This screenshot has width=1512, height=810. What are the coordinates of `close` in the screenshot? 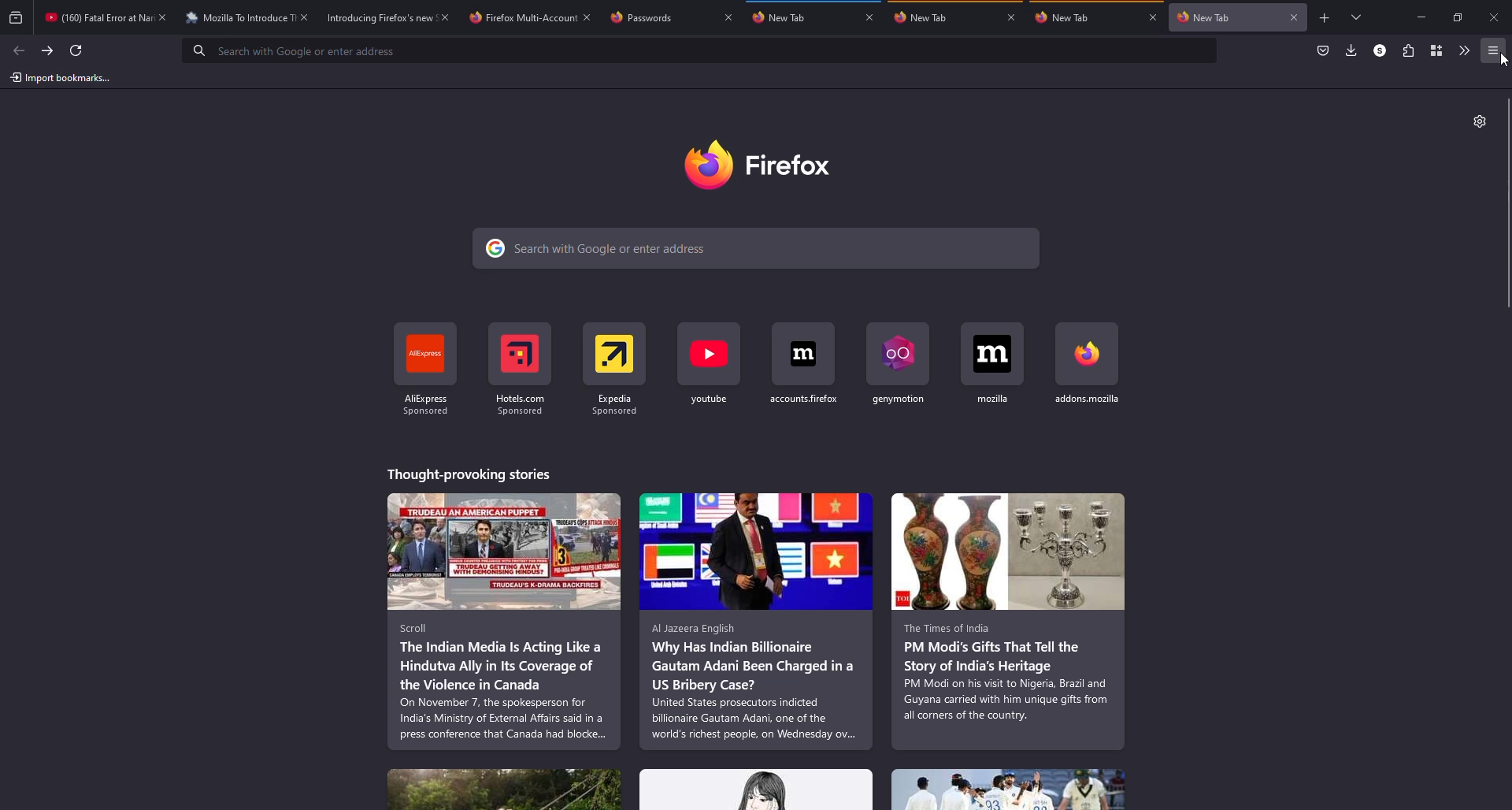 It's located at (1151, 18).